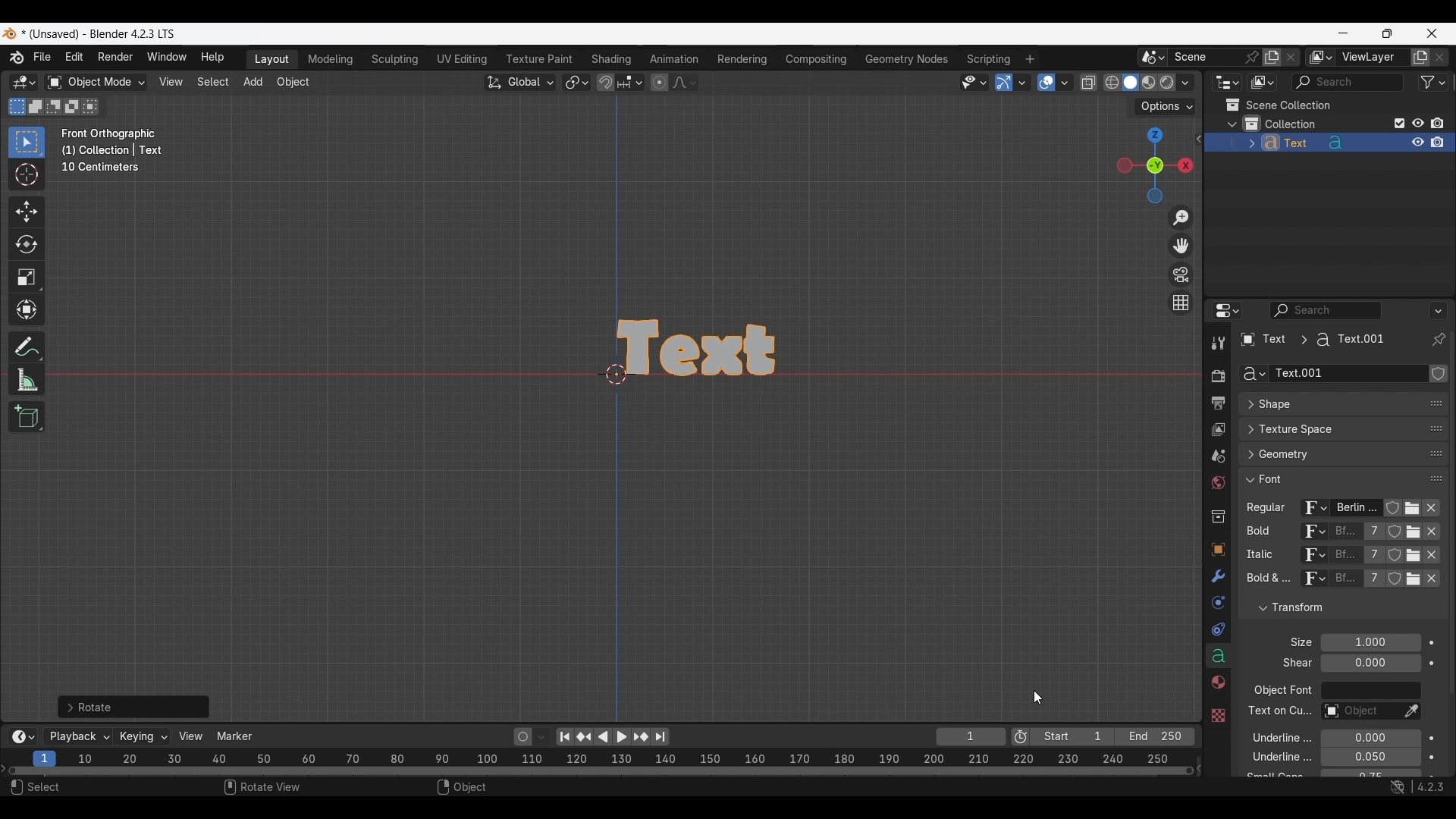 The height and width of the screenshot is (819, 1456). I want to click on Jump to endpoint, so click(565, 737).